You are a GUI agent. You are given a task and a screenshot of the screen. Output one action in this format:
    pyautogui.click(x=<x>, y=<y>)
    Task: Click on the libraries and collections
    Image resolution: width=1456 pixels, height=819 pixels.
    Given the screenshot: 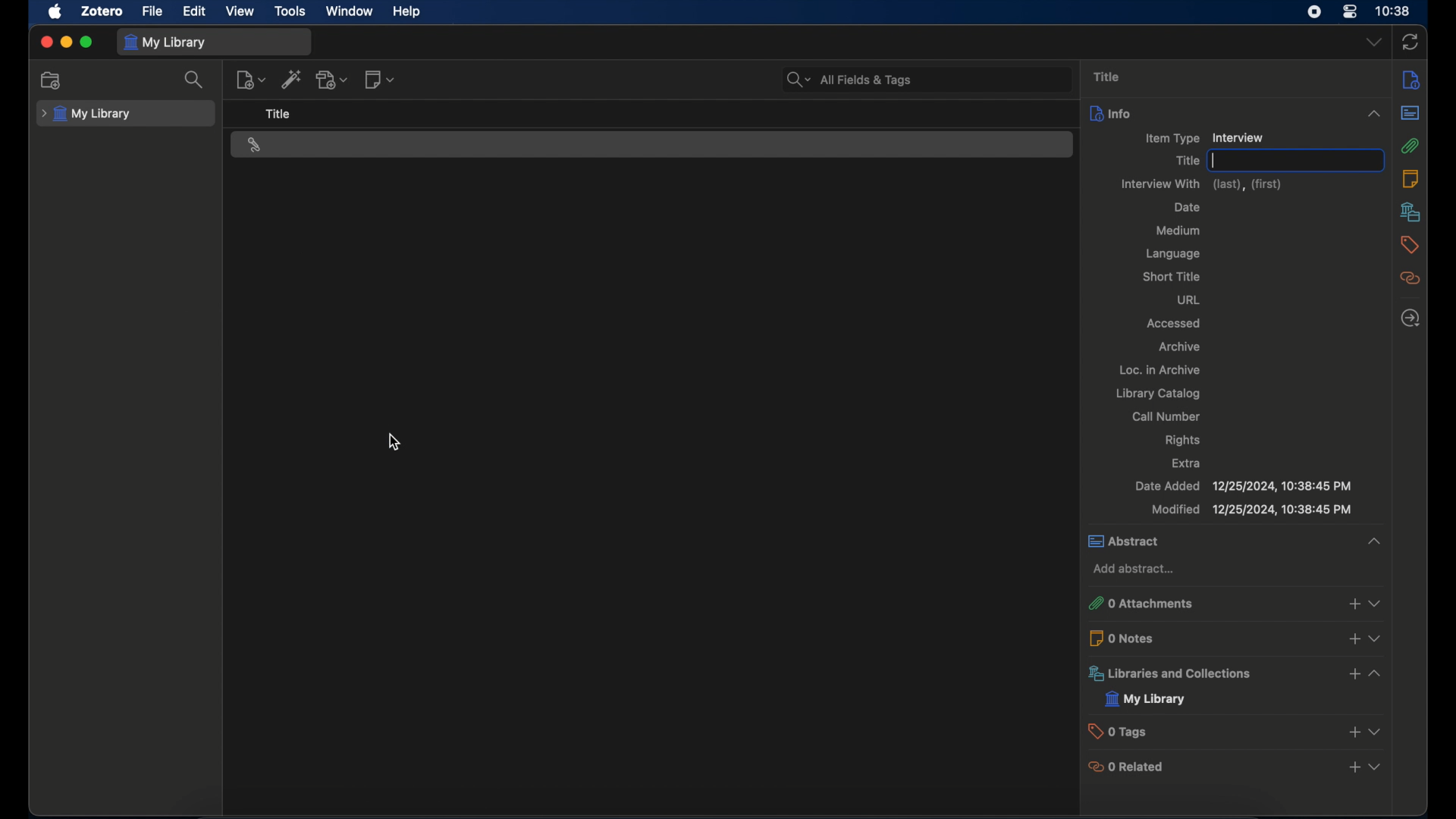 What is the action you would take?
    pyautogui.click(x=1171, y=674)
    